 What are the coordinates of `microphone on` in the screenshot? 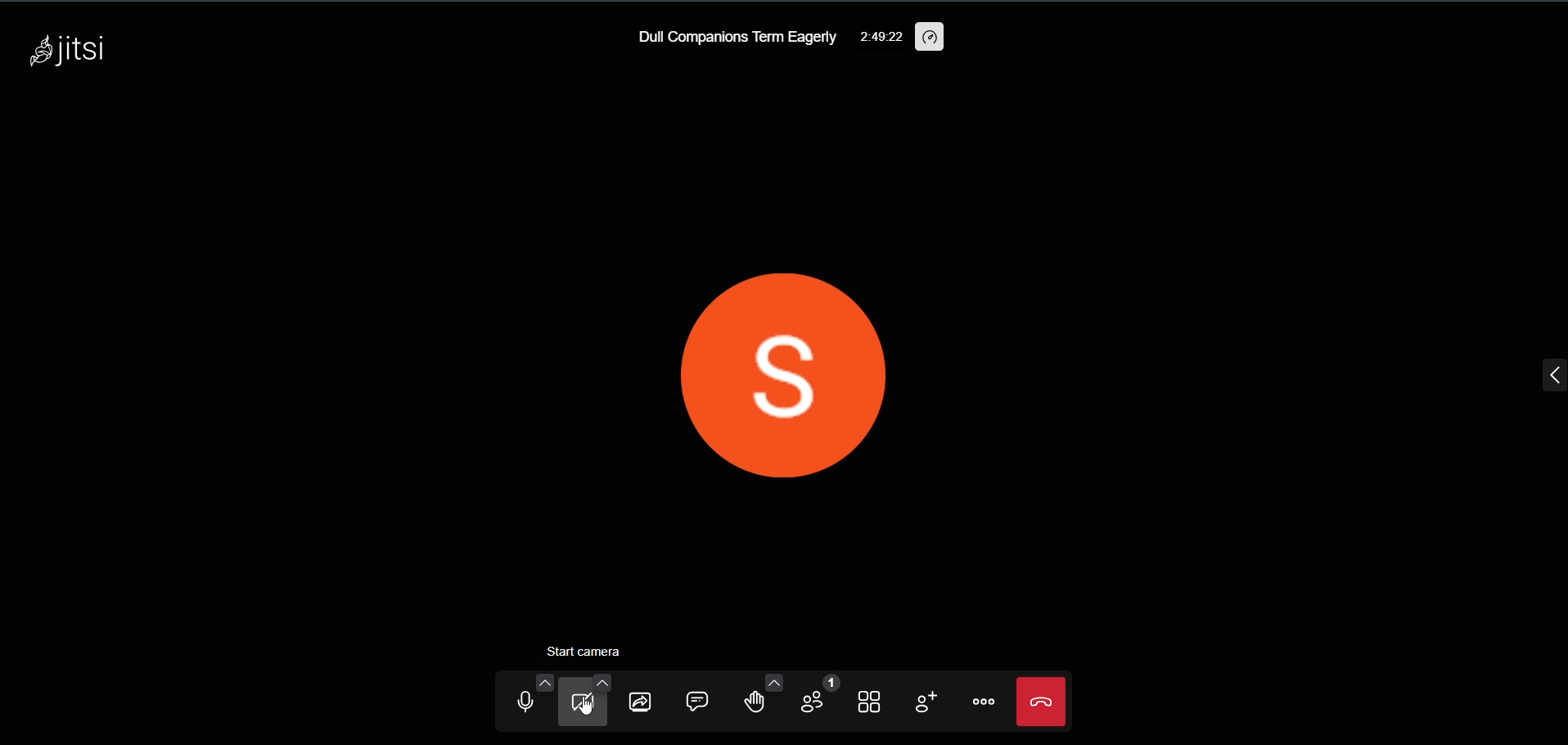 It's located at (520, 703).